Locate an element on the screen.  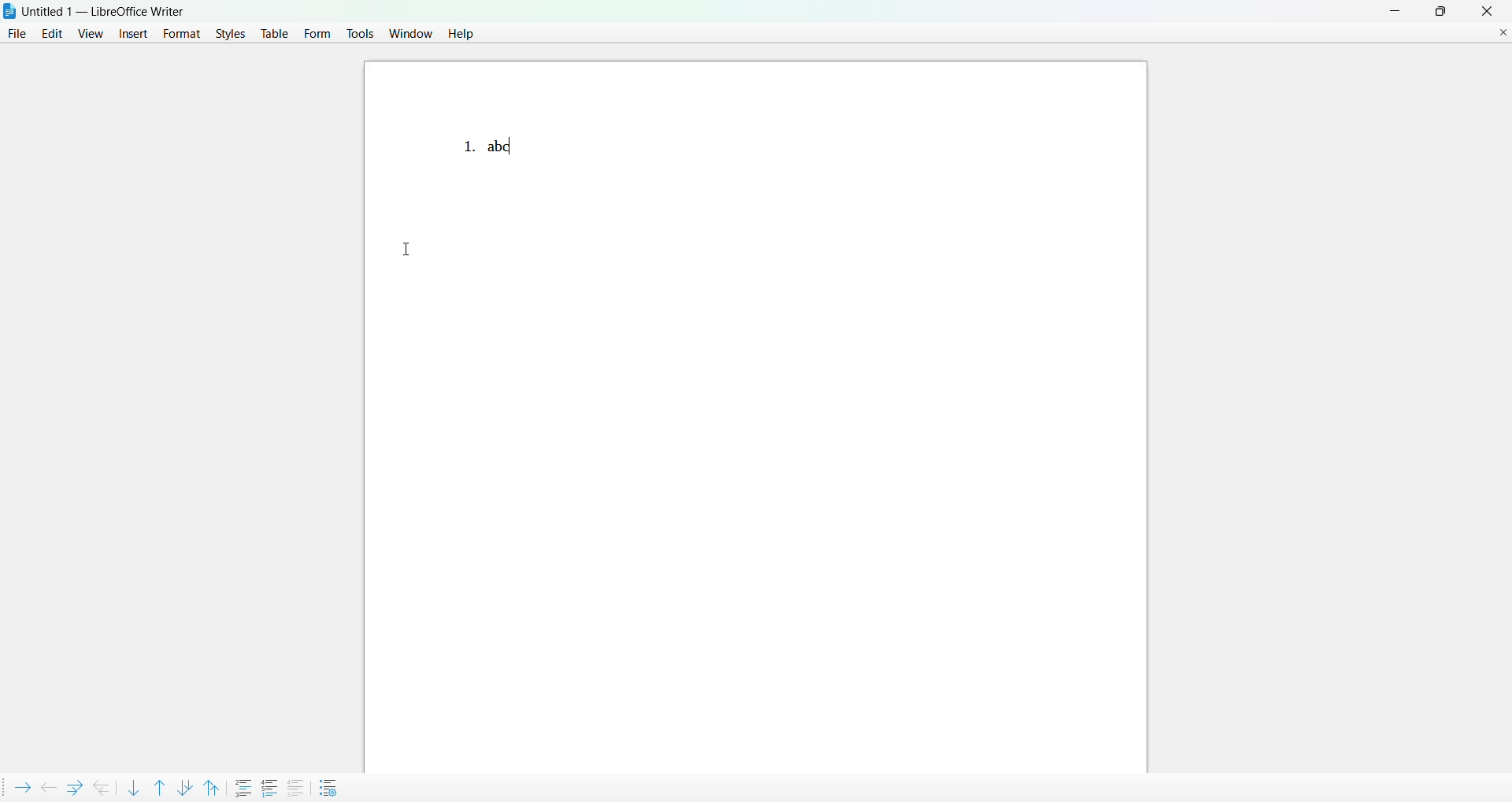
format is located at coordinates (178, 33).